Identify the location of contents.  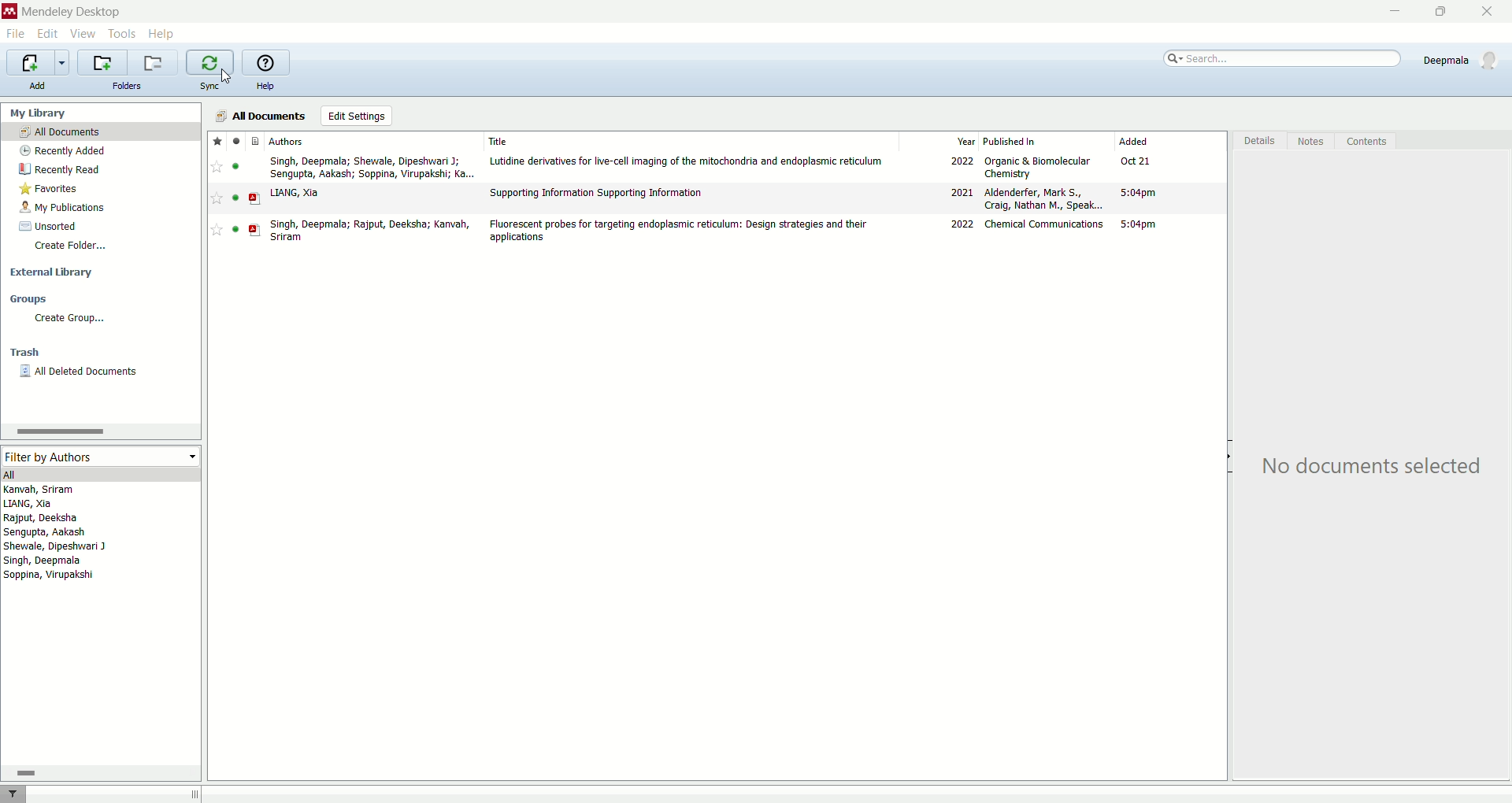
(1366, 142).